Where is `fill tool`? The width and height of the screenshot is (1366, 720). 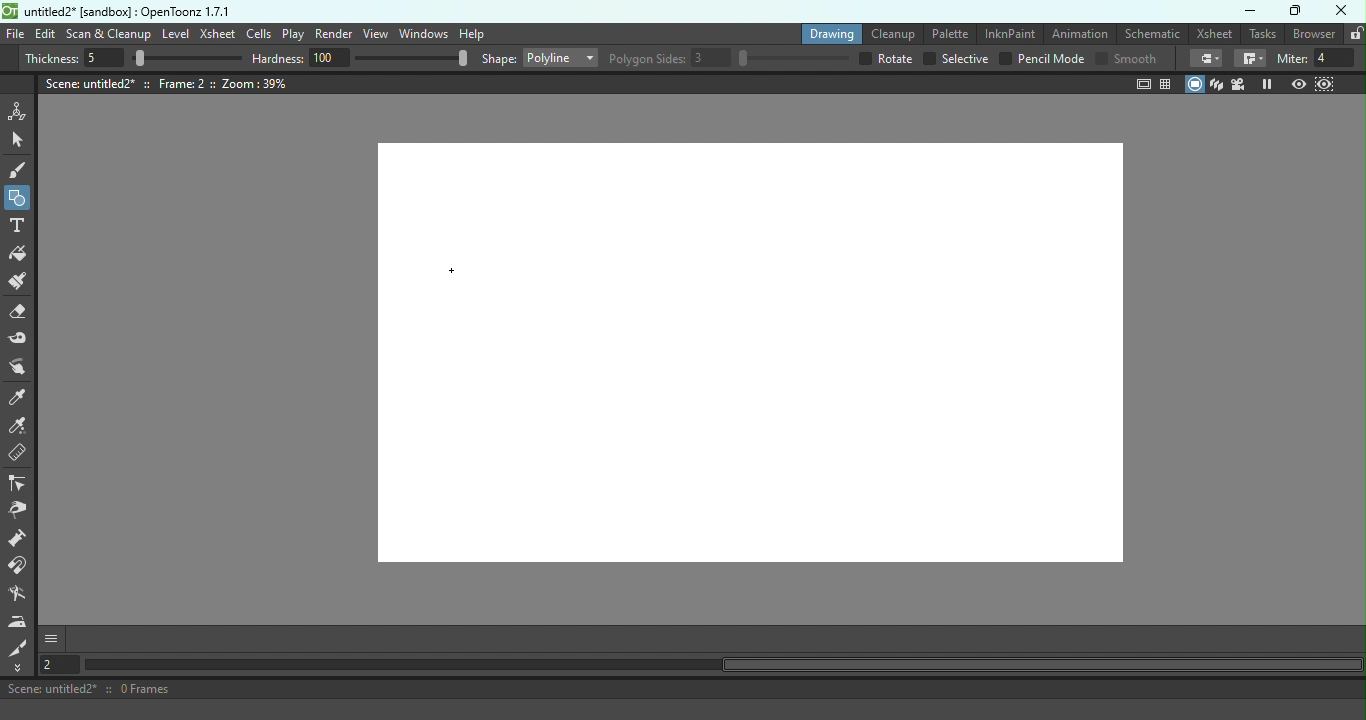 fill tool is located at coordinates (1250, 58).